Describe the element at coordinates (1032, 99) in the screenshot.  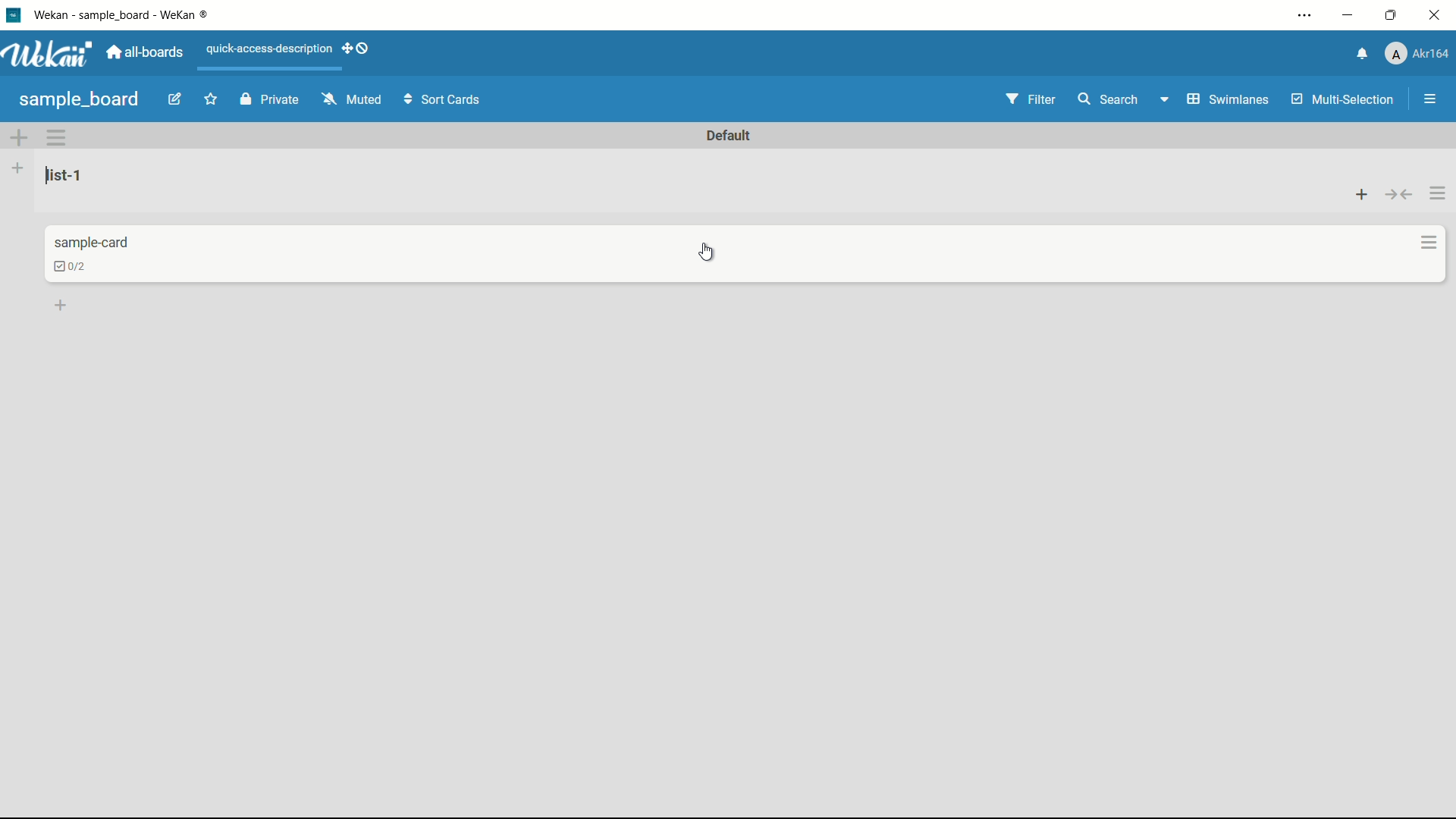
I see `filter` at that location.